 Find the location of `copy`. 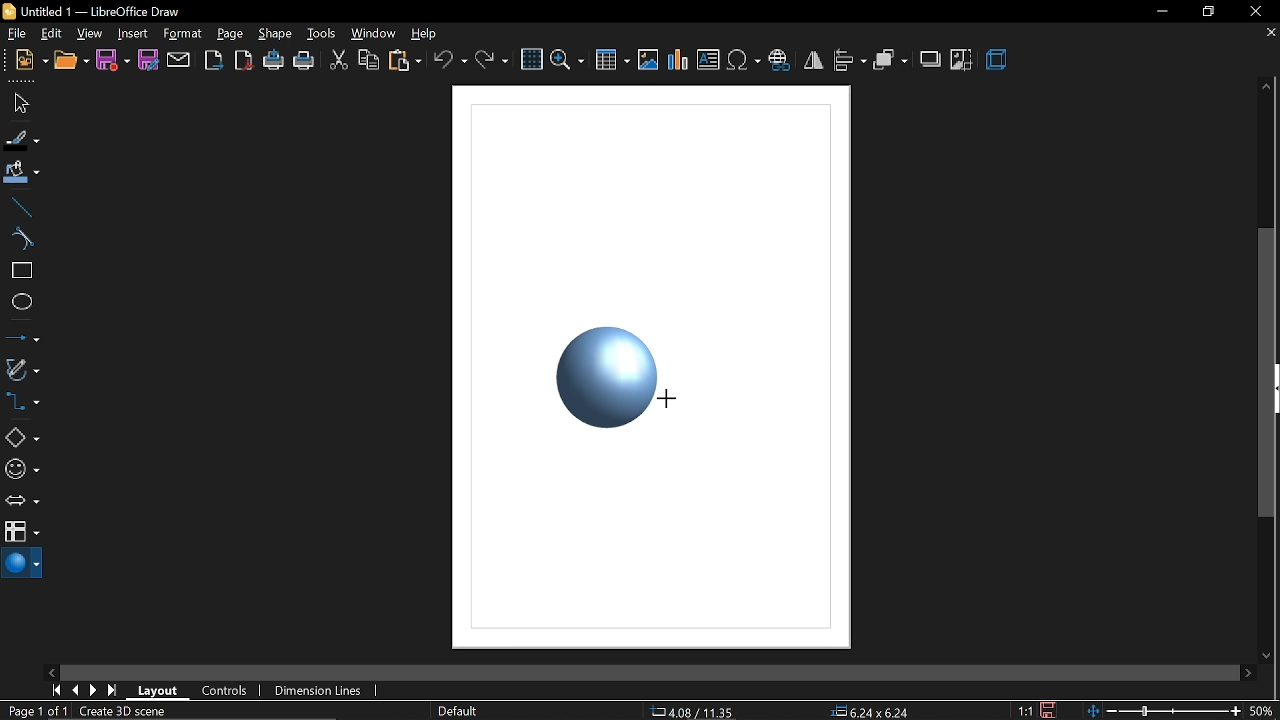

copy is located at coordinates (370, 61).